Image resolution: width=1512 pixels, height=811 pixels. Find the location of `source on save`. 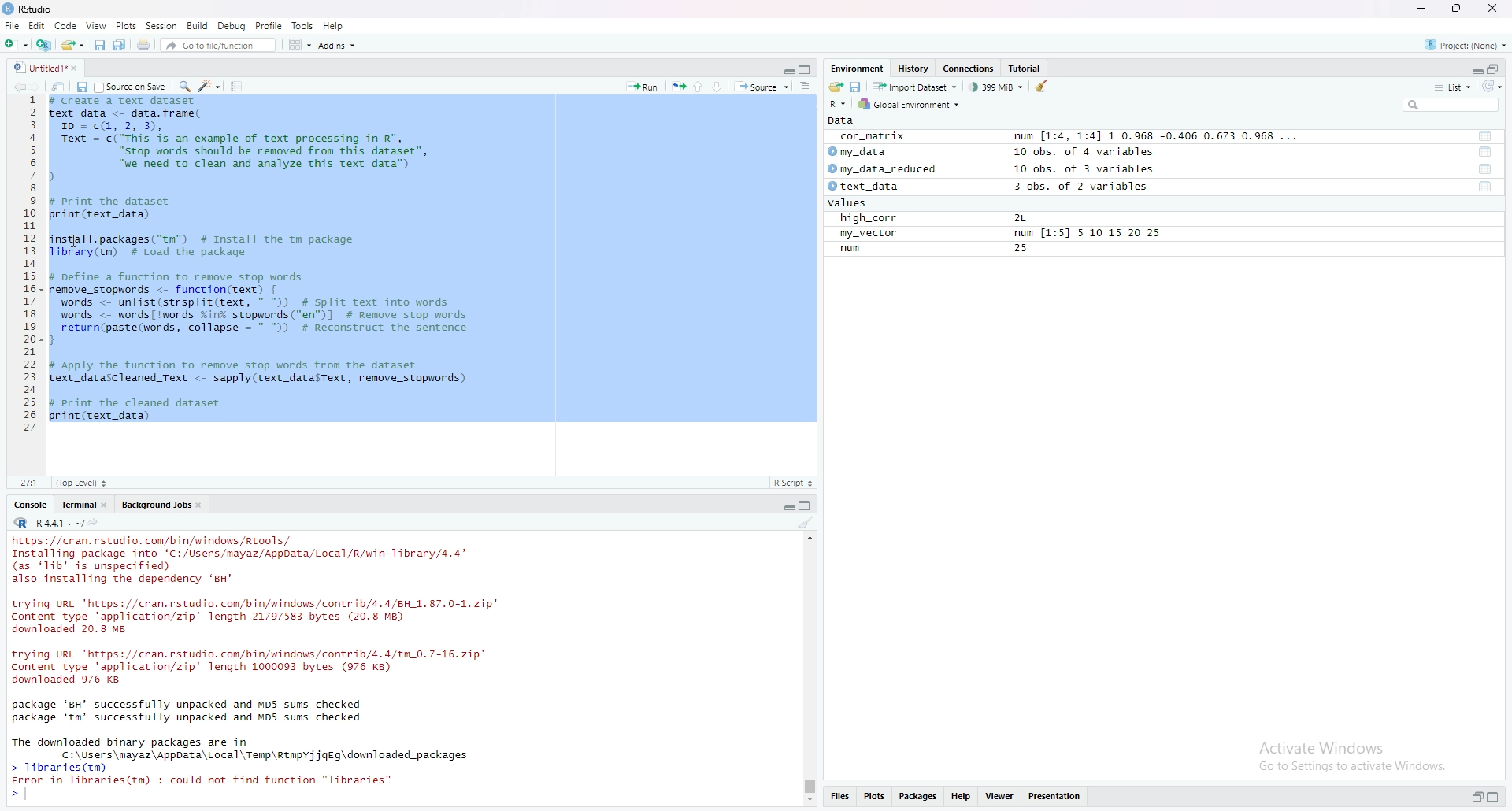

source on save is located at coordinates (132, 87).